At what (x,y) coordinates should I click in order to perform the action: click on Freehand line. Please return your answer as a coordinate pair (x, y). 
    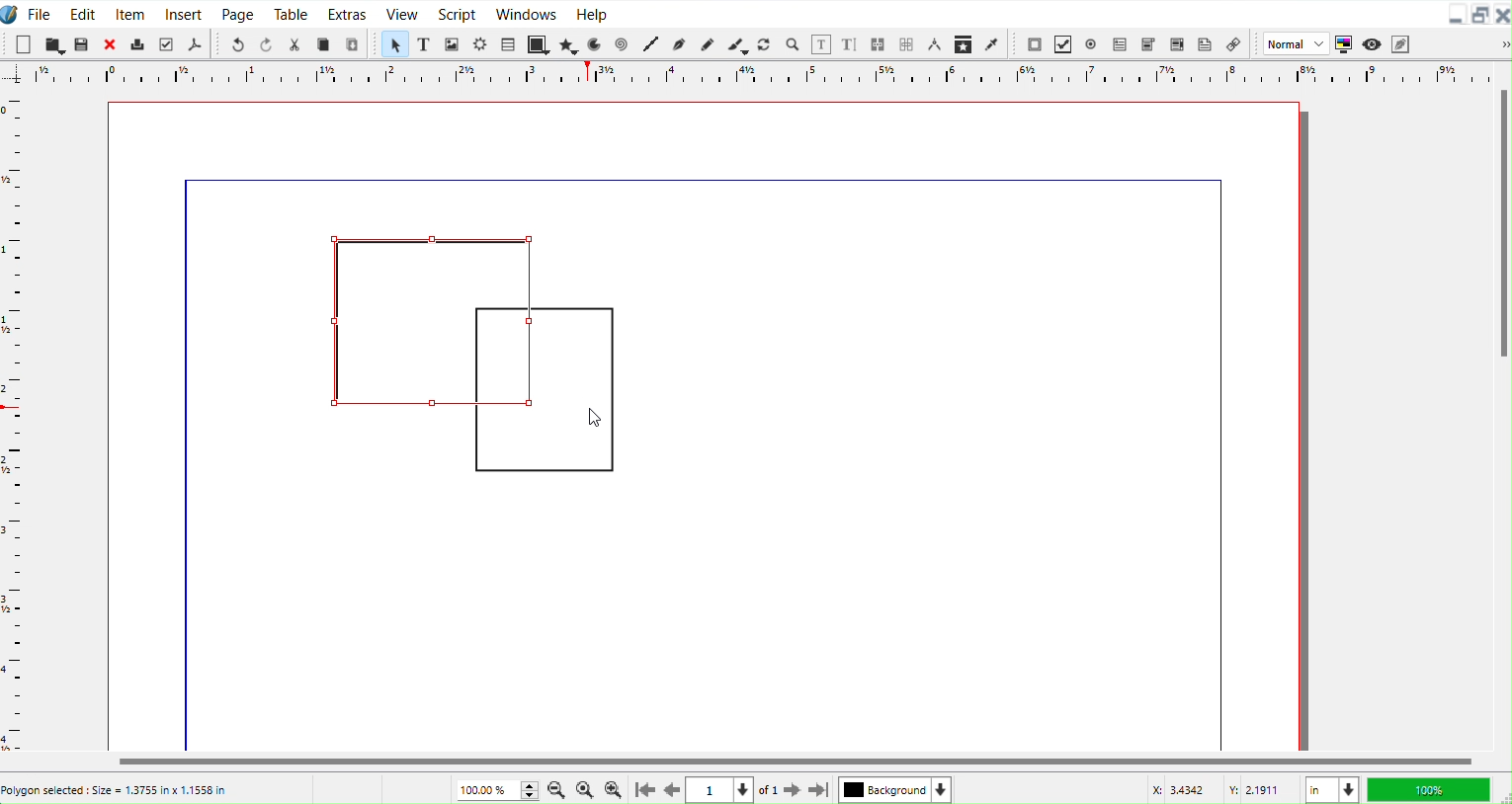
    Looking at the image, I should click on (706, 43).